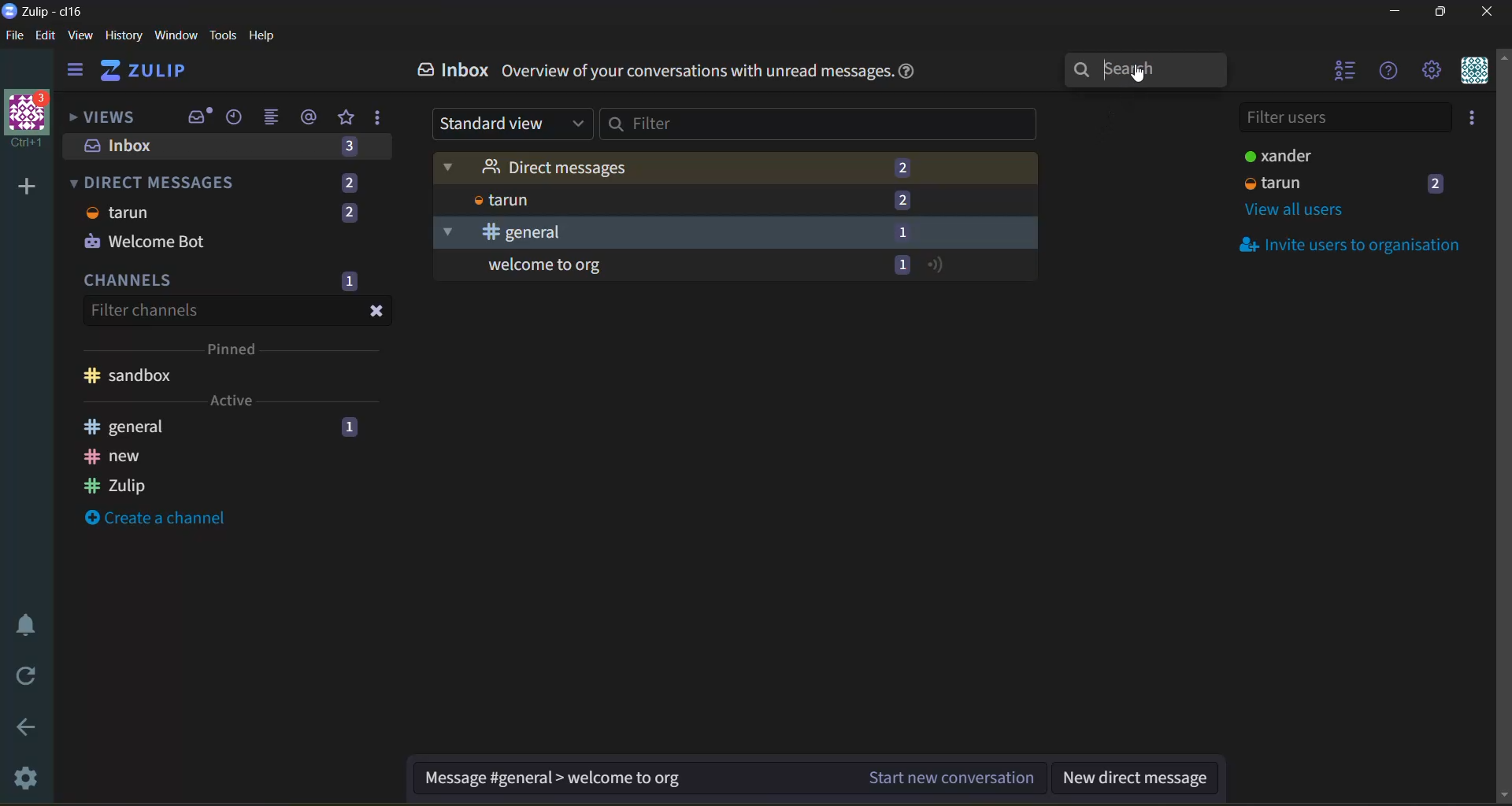  Describe the element at coordinates (1503, 427) in the screenshot. I see `scroll bar` at that location.